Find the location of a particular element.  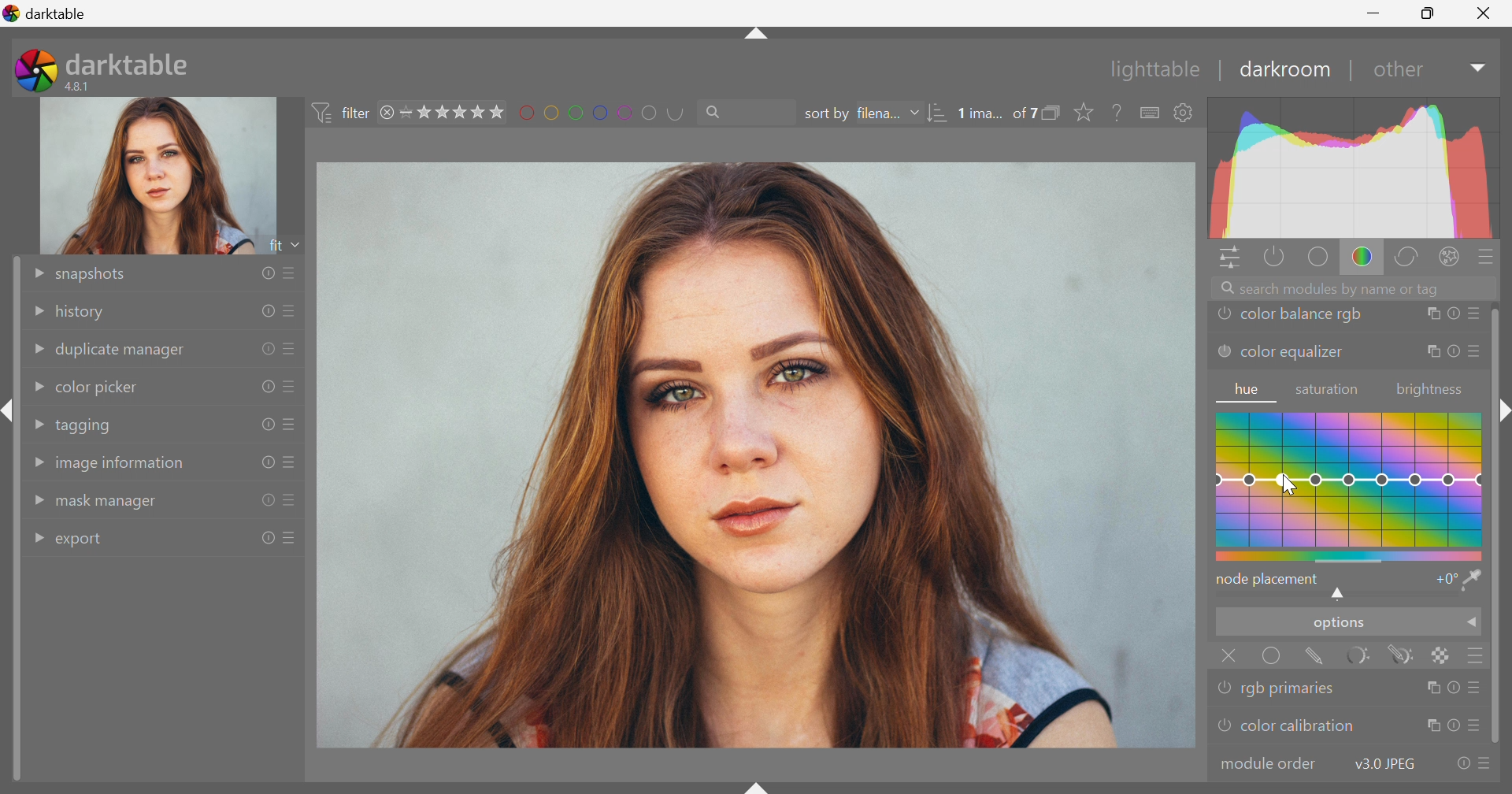

presets is located at coordinates (1473, 352).